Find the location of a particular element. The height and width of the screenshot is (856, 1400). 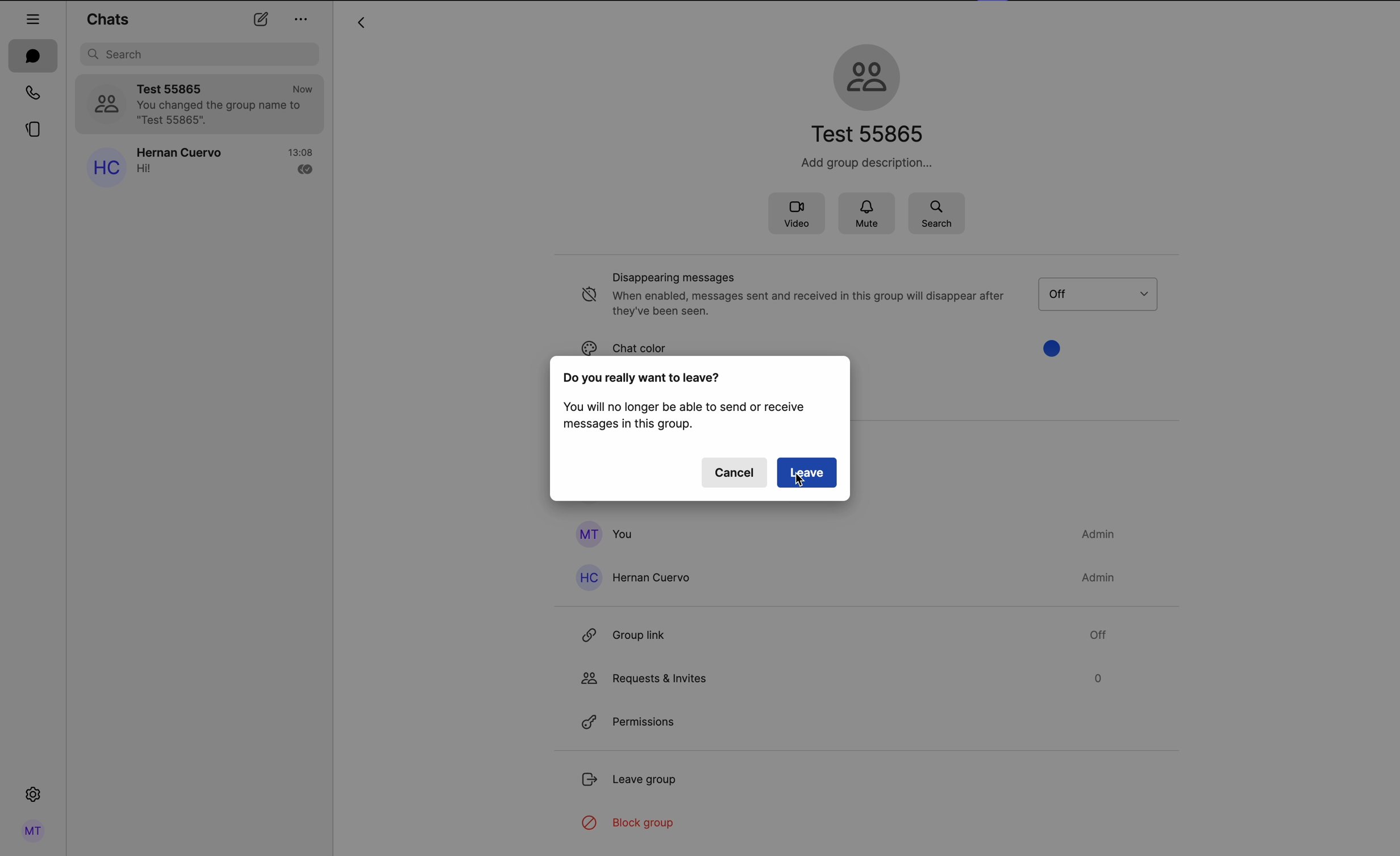

disappearing messages off is located at coordinates (792, 296).